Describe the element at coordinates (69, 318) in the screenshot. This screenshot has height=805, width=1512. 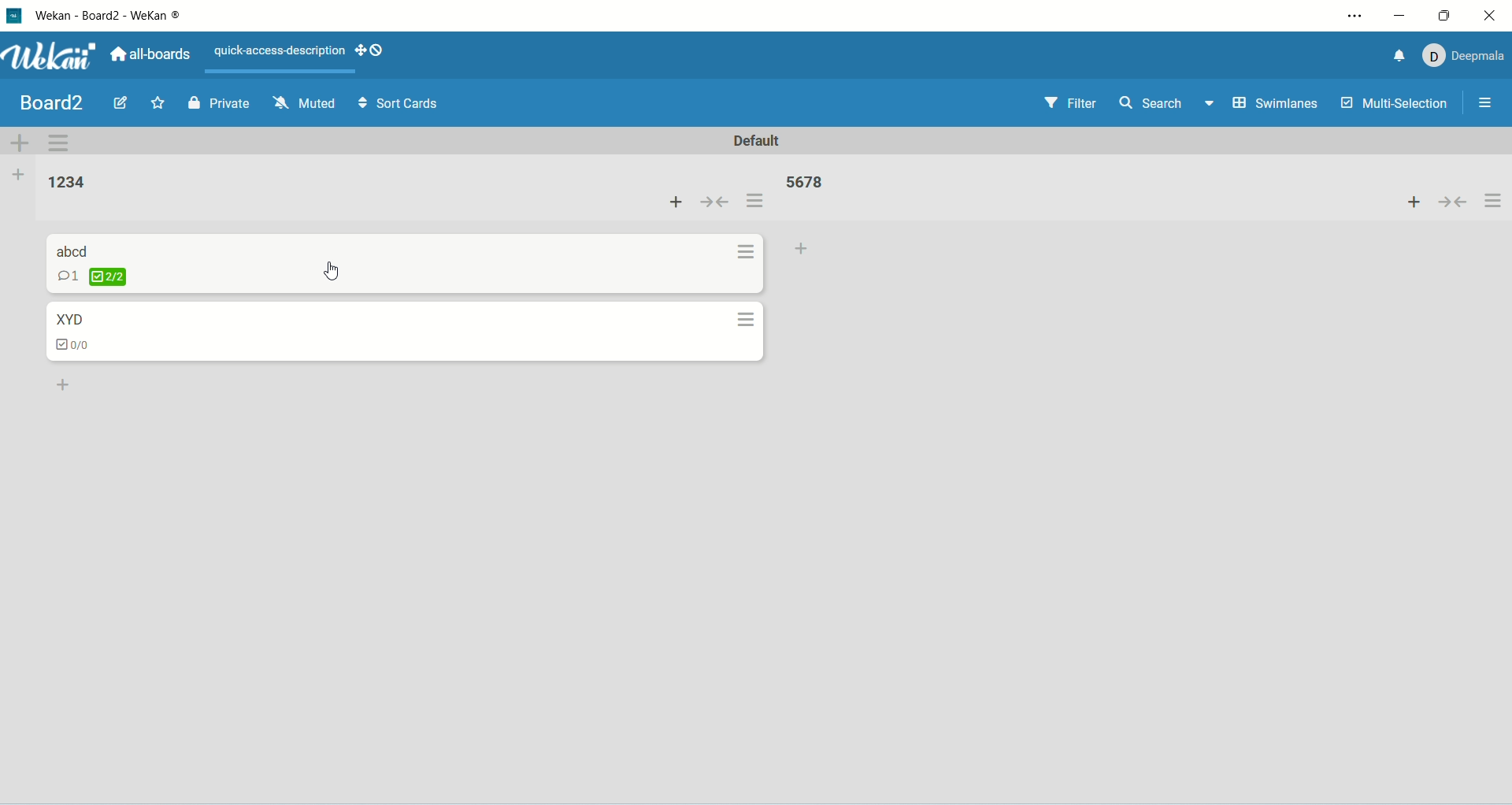
I see `card title` at that location.